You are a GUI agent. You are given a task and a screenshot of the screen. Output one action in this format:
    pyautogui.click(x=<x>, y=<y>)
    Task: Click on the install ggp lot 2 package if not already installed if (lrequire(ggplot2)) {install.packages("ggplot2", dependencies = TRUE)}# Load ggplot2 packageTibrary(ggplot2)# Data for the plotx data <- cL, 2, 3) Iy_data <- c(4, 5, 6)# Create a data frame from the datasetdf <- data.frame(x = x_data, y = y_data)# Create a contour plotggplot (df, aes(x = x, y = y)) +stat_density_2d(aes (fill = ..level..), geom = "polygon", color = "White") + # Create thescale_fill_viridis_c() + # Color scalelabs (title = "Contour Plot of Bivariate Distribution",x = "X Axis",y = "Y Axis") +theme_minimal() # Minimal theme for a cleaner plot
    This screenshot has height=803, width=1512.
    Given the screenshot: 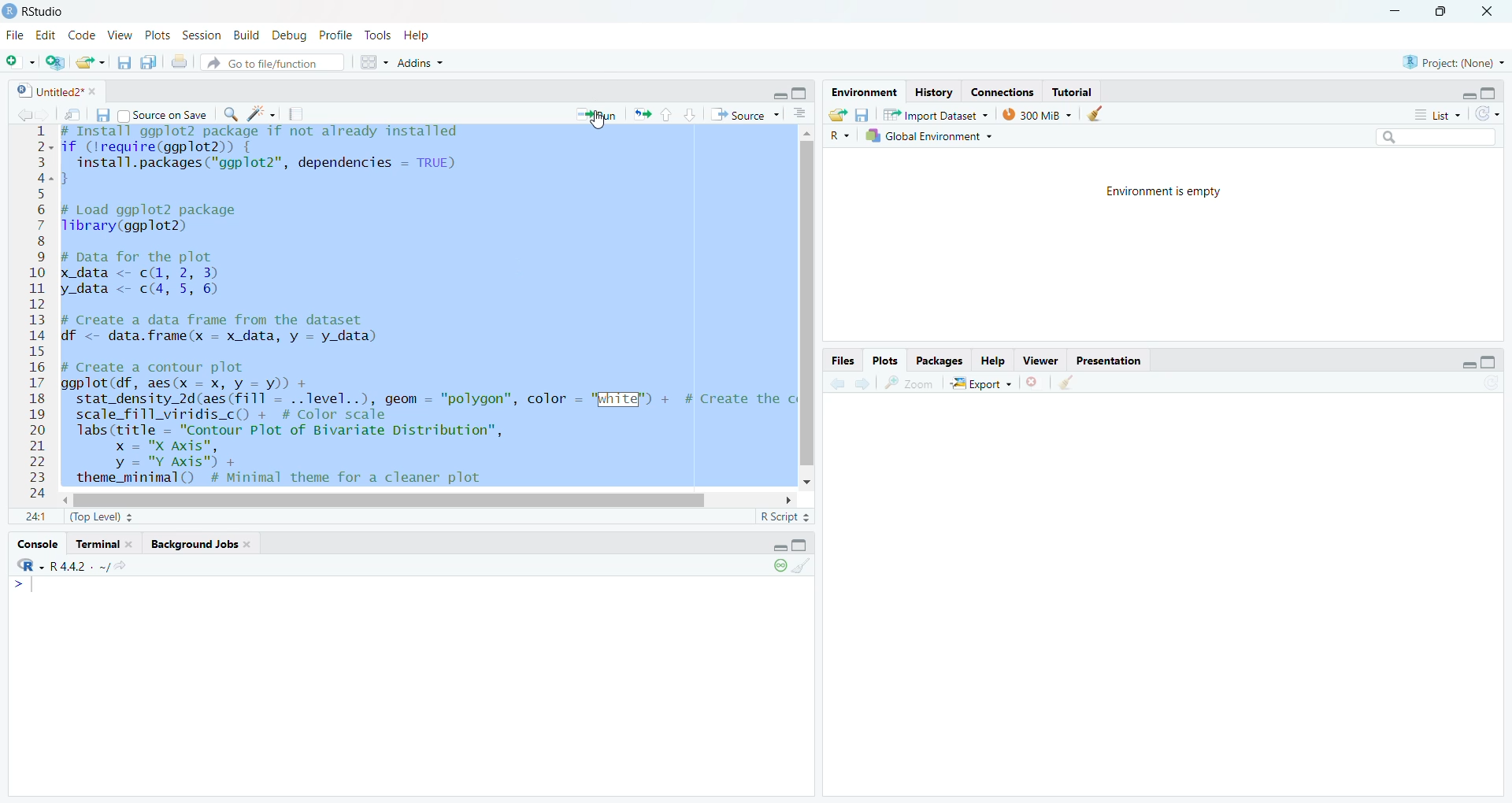 What is the action you would take?
    pyautogui.click(x=422, y=307)
    